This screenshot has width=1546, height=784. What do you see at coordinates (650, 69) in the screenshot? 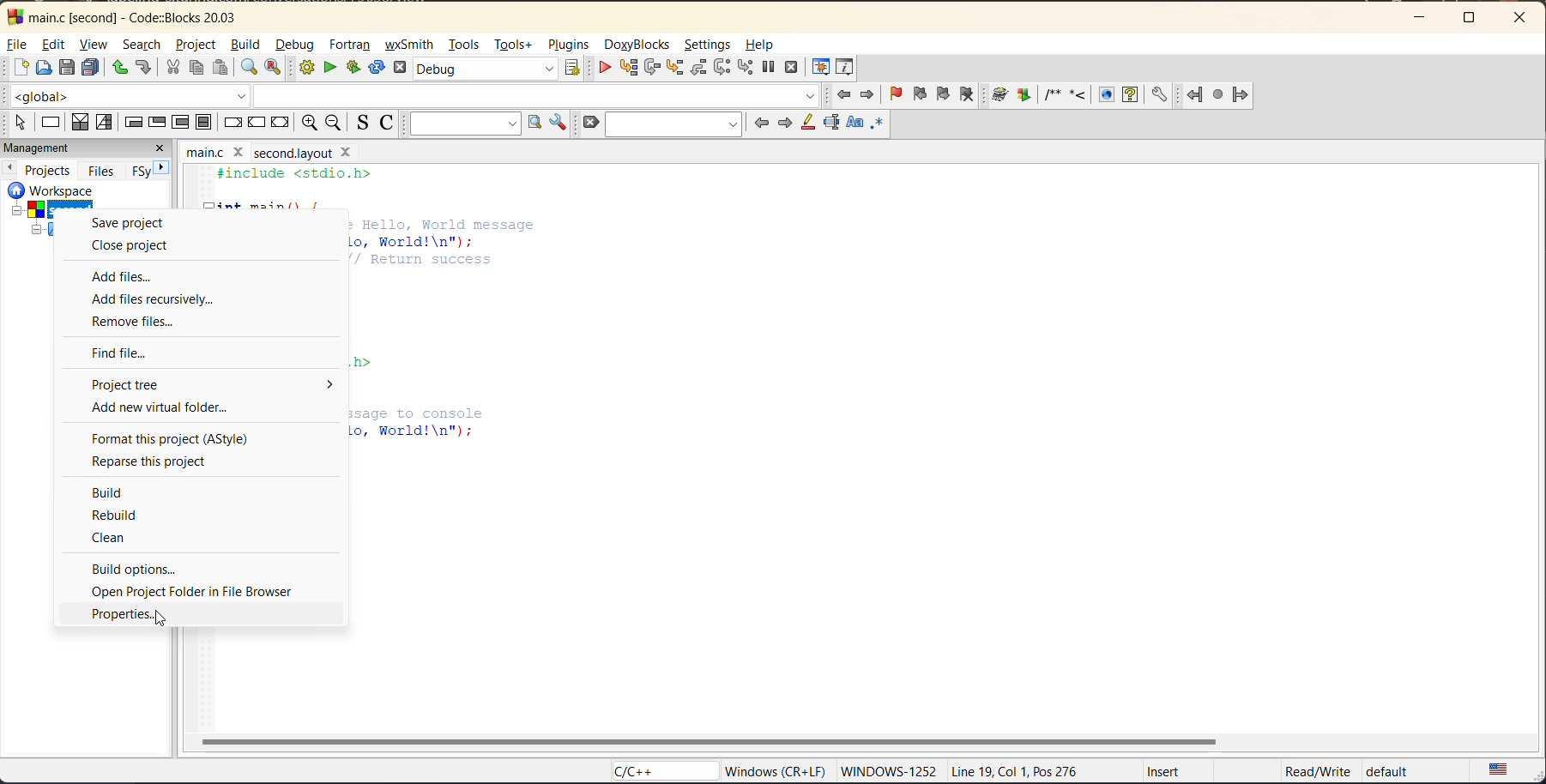
I see `next line` at bounding box center [650, 69].